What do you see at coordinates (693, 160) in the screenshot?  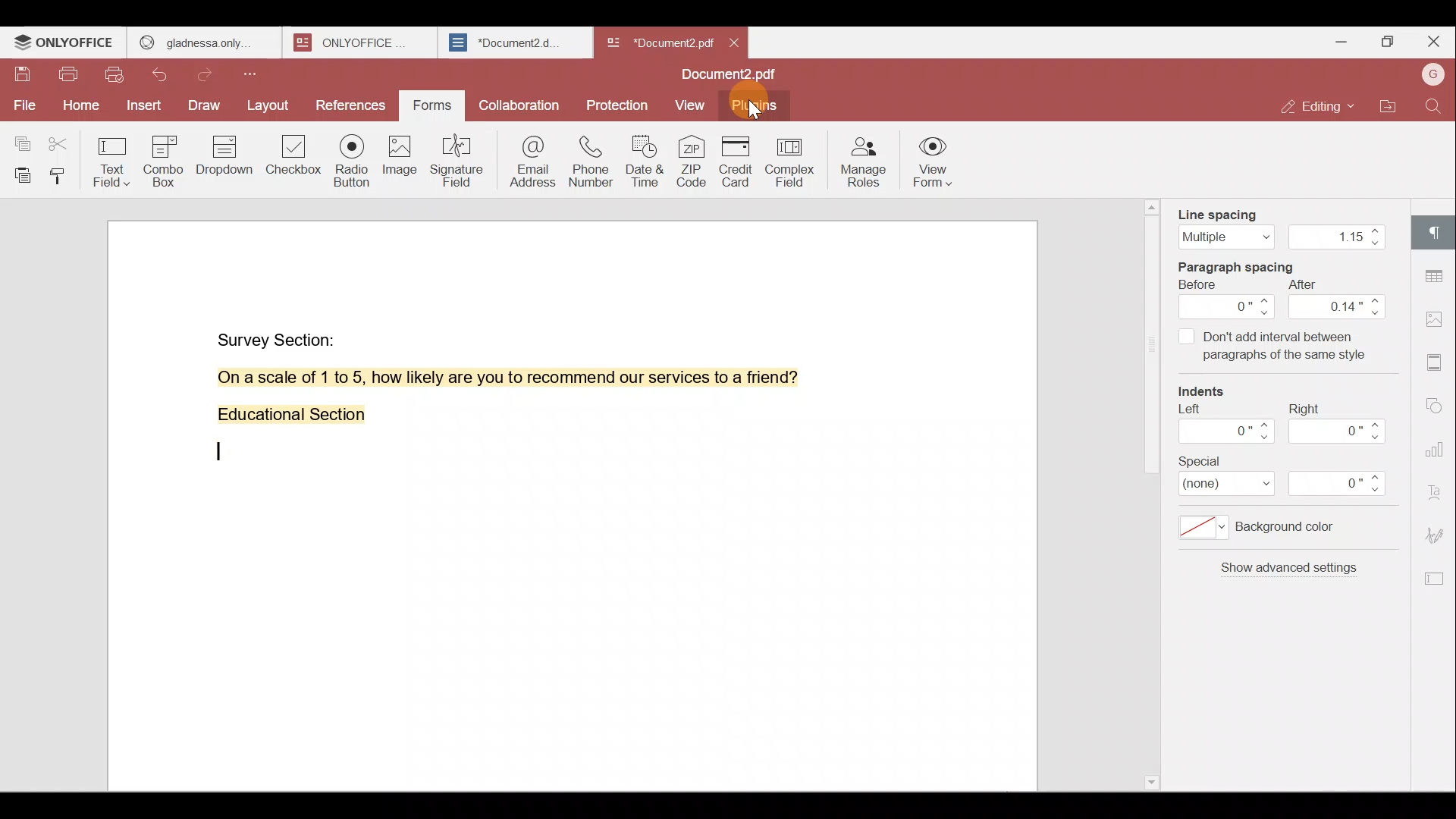 I see `ZIP code` at bounding box center [693, 160].